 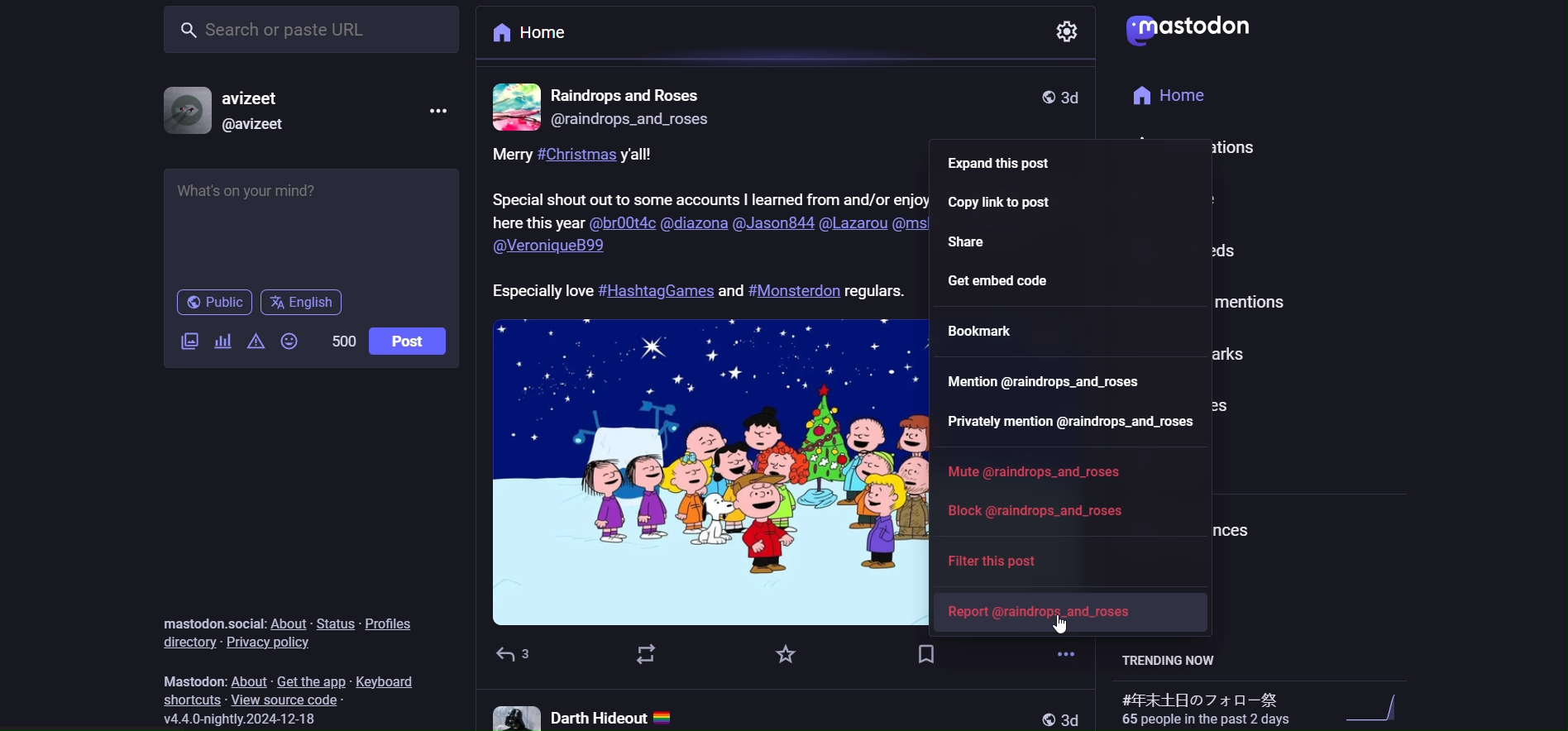 What do you see at coordinates (1065, 652) in the screenshot?
I see `more` at bounding box center [1065, 652].